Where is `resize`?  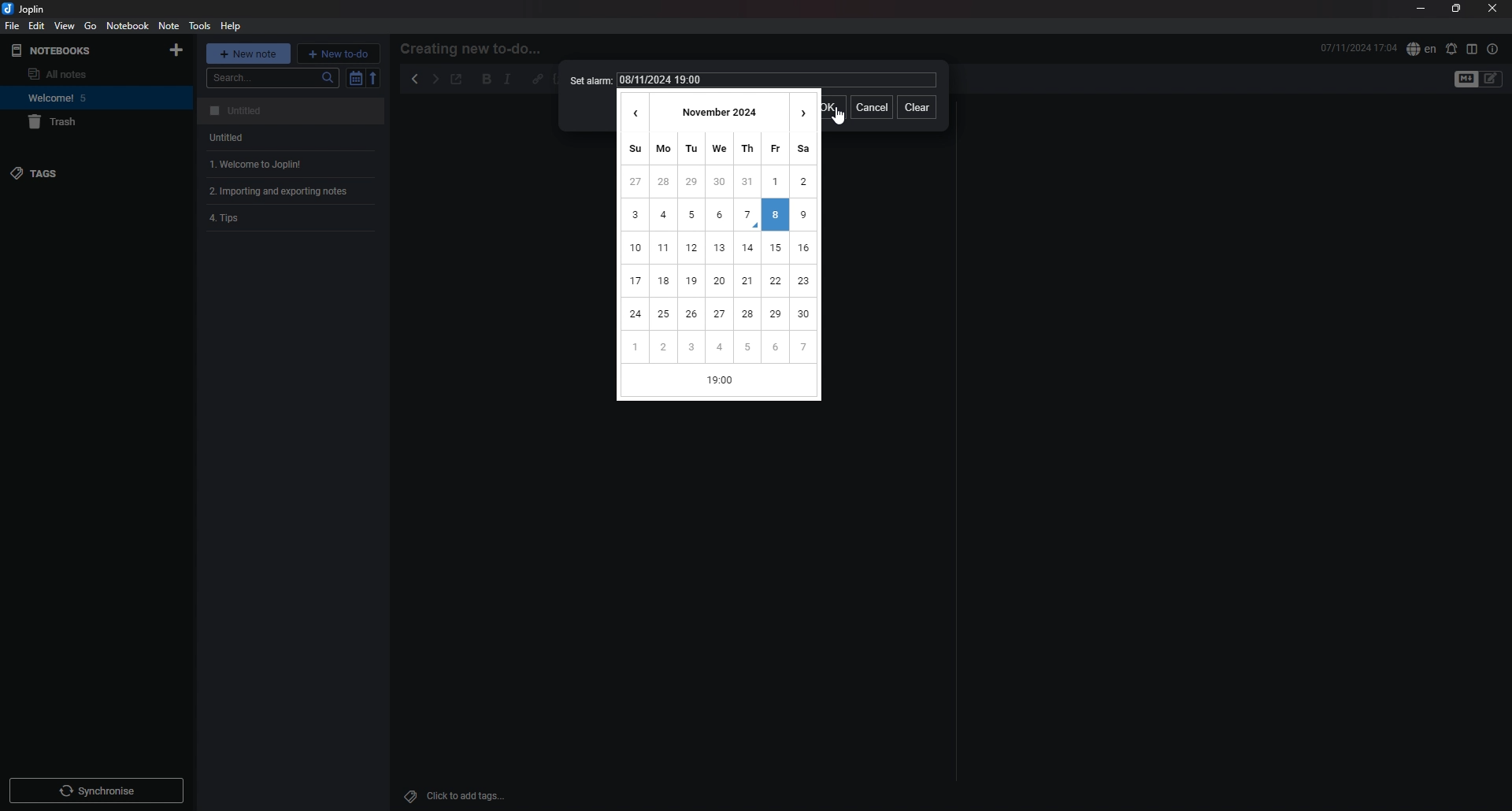 resize is located at coordinates (1457, 9).